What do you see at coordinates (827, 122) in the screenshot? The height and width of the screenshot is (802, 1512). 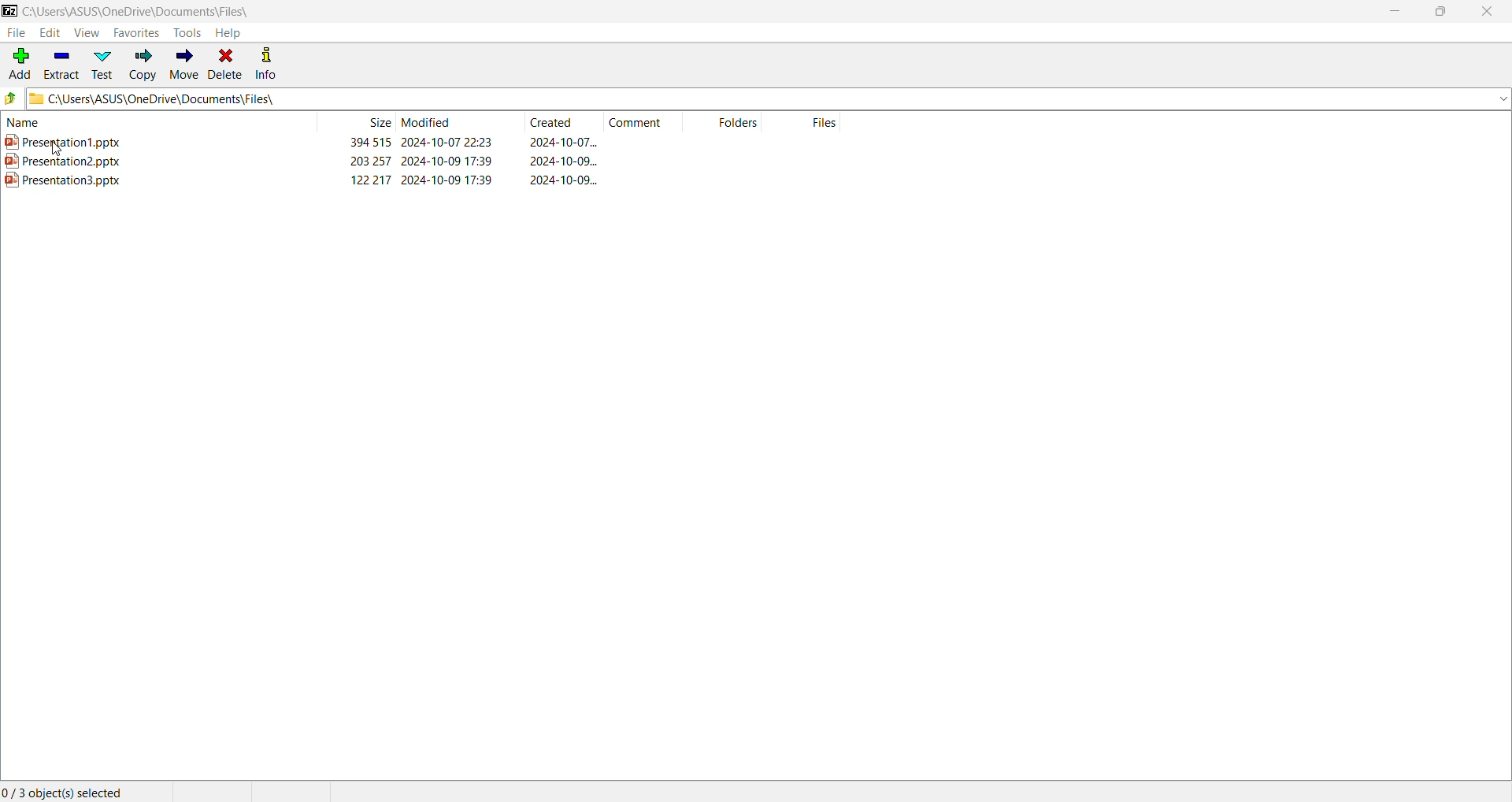 I see `Files` at bounding box center [827, 122].